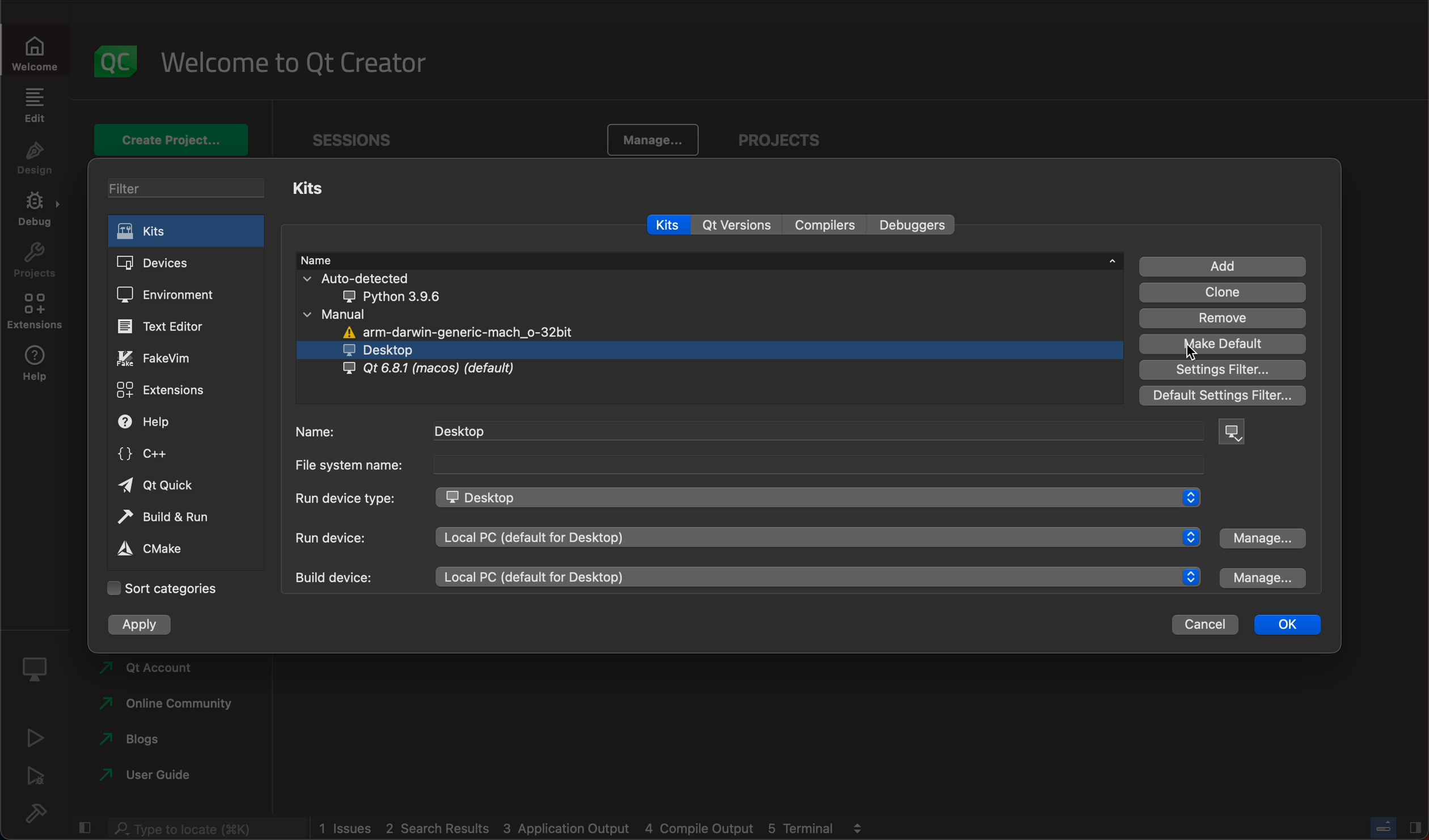  I want to click on add, so click(1224, 265).